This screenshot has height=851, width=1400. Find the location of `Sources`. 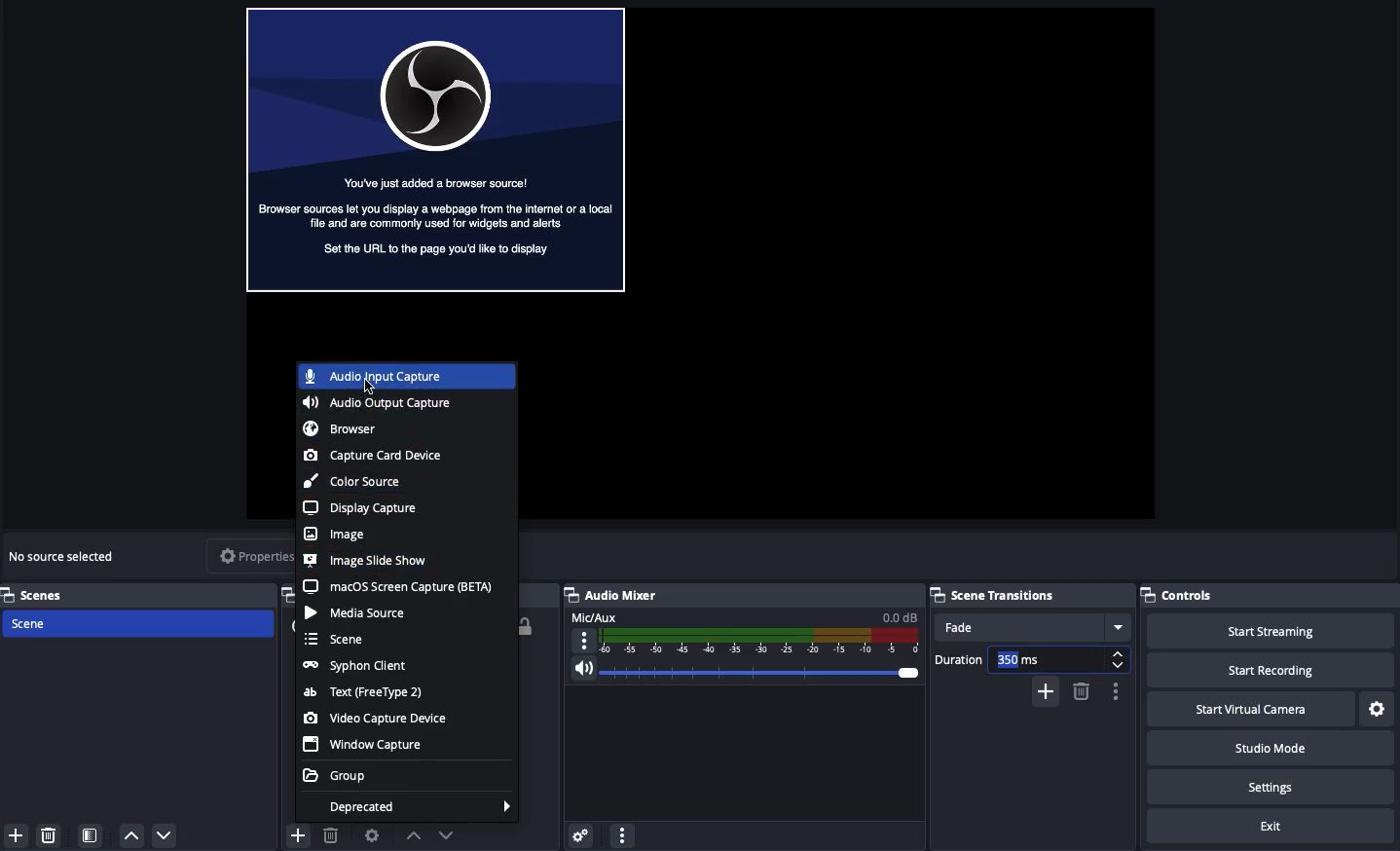

Sources is located at coordinates (285, 597).